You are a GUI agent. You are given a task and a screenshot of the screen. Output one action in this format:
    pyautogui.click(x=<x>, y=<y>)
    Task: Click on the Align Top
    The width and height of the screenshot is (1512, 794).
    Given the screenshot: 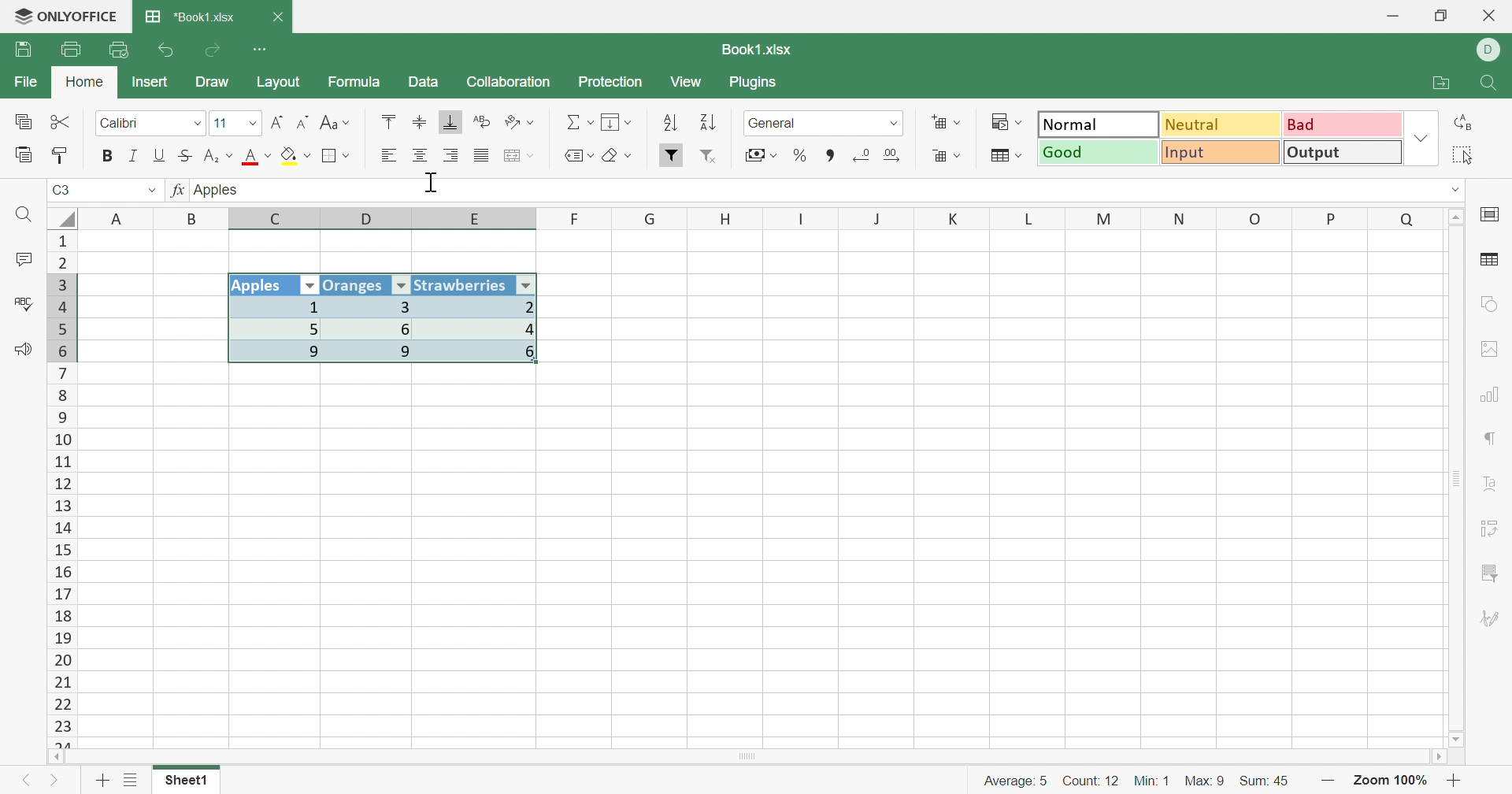 What is the action you would take?
    pyautogui.click(x=386, y=121)
    